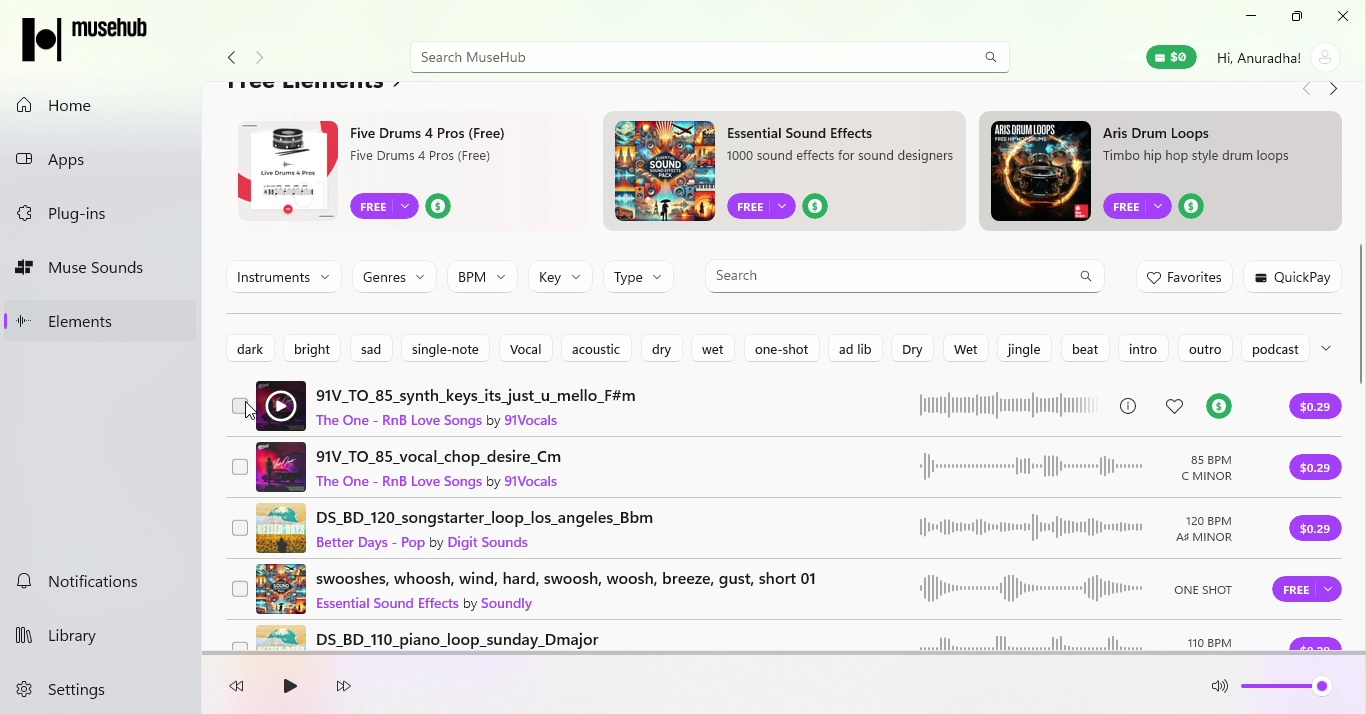 The width and height of the screenshot is (1366, 714). What do you see at coordinates (961, 347) in the screenshot?
I see `Wet` at bounding box center [961, 347].